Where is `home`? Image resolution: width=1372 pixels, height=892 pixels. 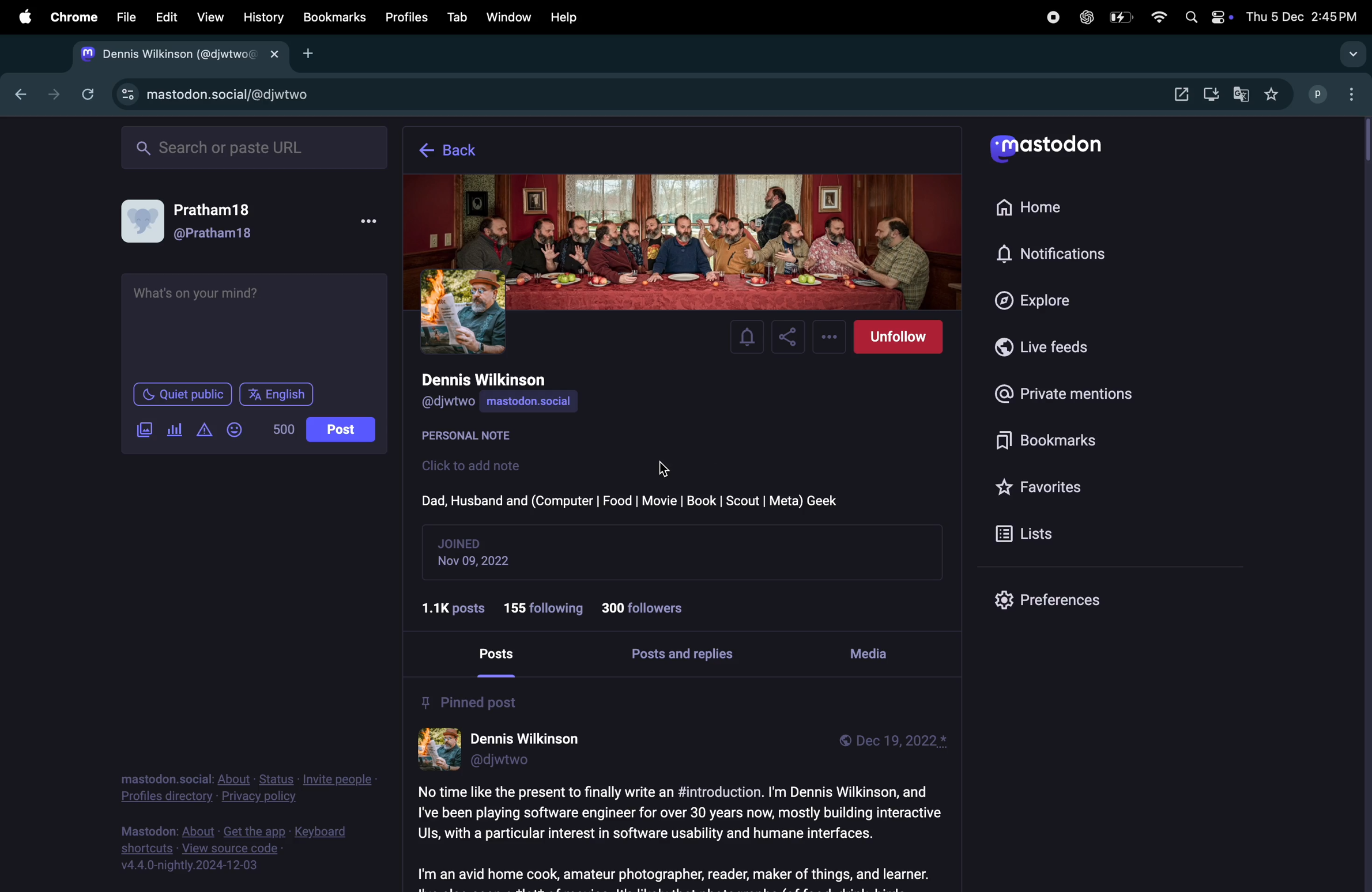
home is located at coordinates (1056, 207).